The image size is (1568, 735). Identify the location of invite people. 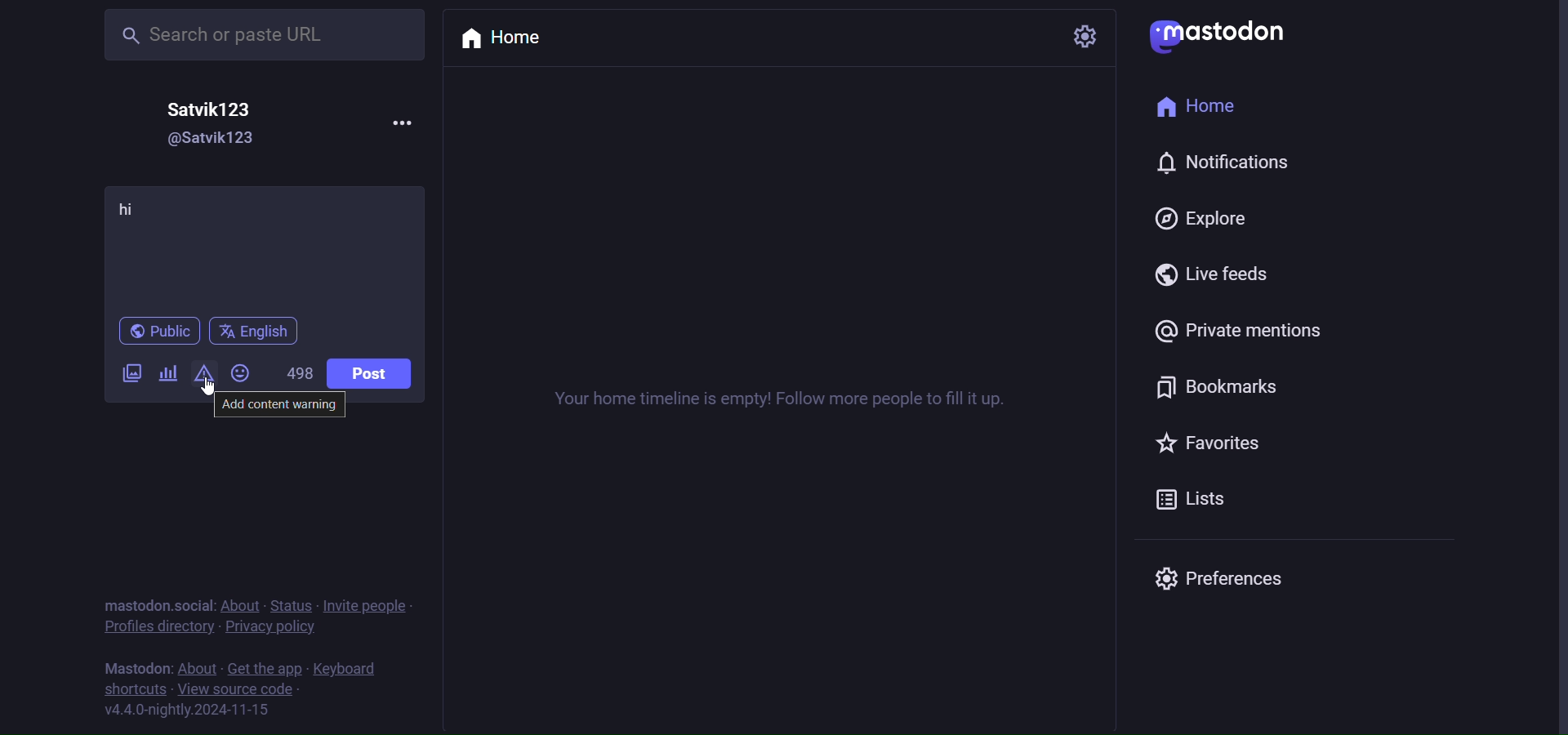
(372, 606).